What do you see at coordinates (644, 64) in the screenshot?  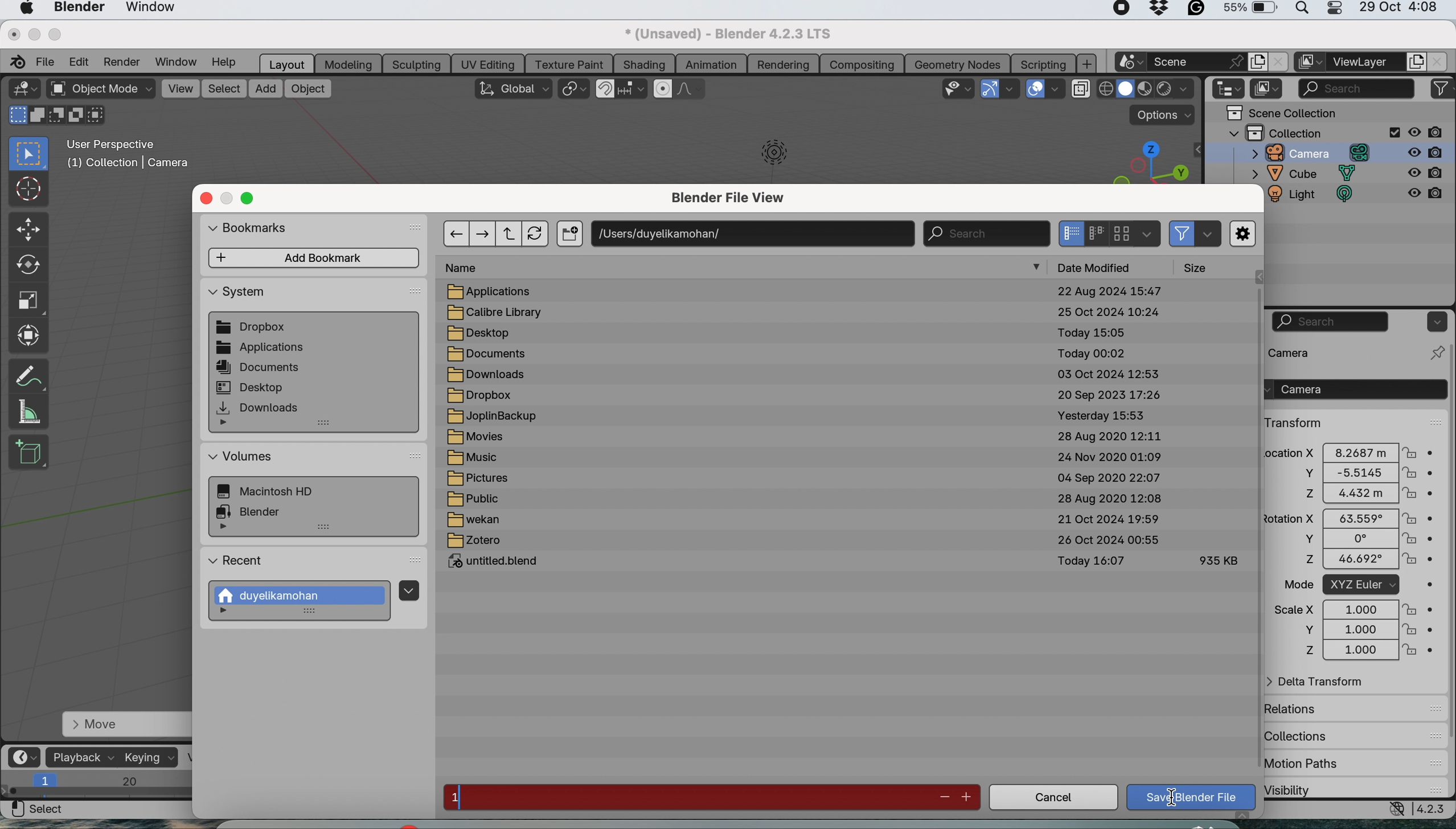 I see `shading` at bounding box center [644, 64].